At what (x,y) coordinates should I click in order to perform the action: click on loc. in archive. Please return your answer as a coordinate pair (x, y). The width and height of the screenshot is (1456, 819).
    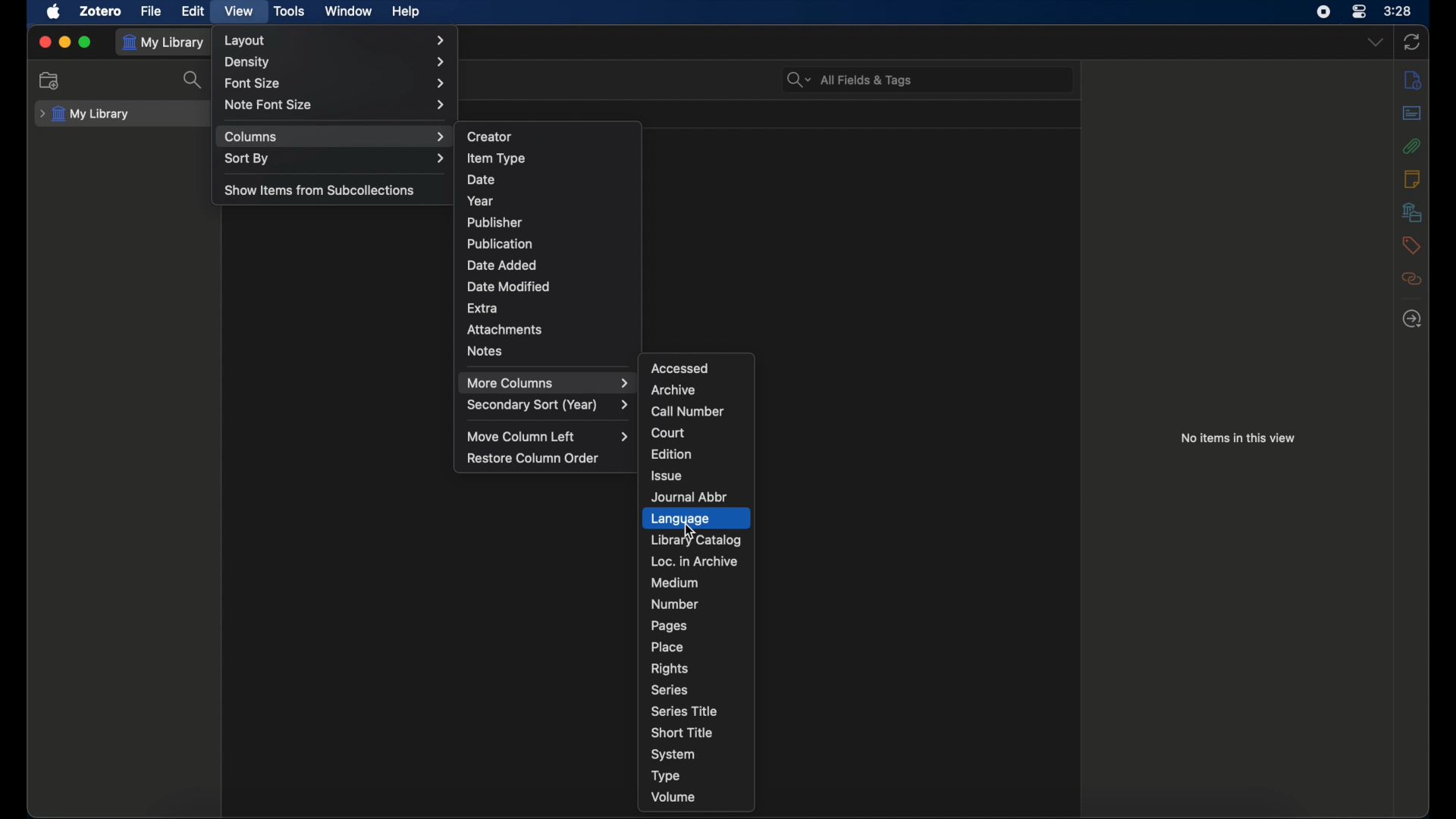
    Looking at the image, I should click on (695, 562).